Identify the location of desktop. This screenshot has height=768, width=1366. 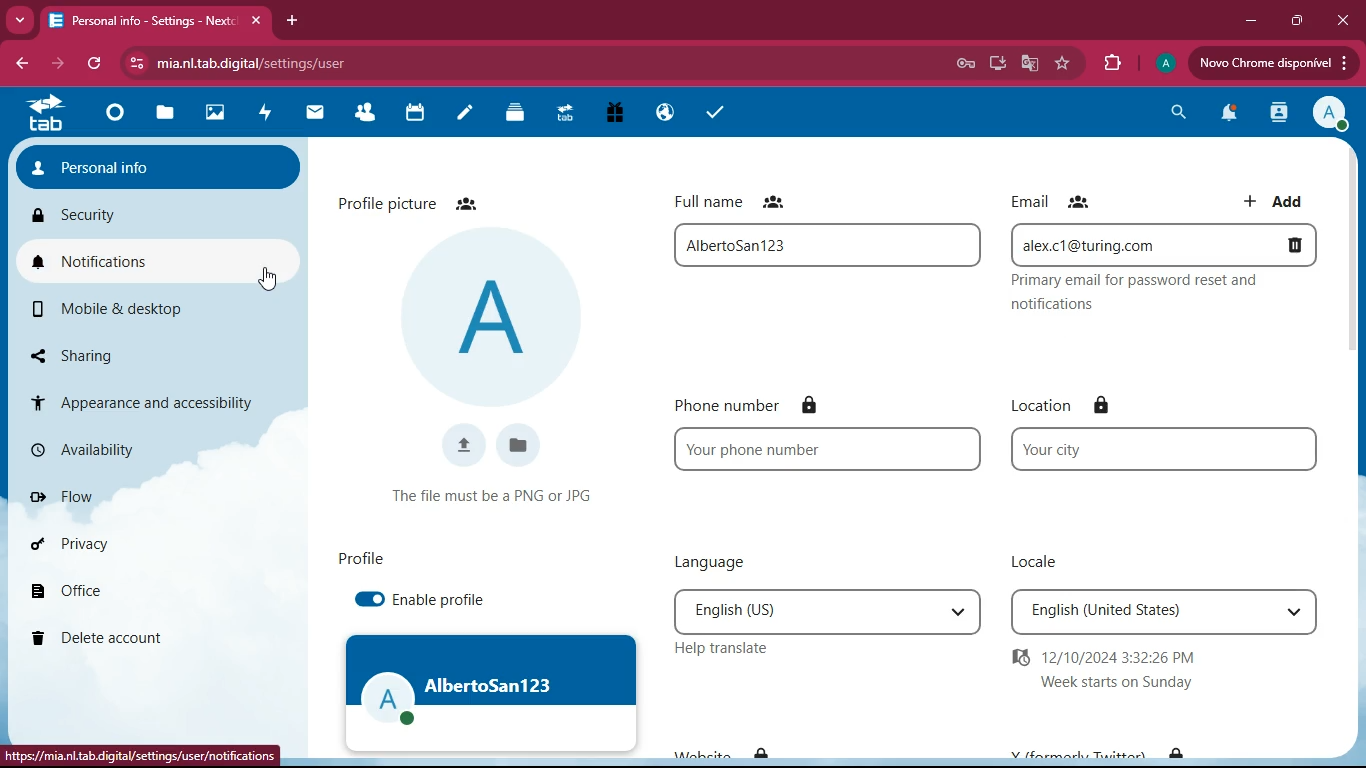
(992, 65).